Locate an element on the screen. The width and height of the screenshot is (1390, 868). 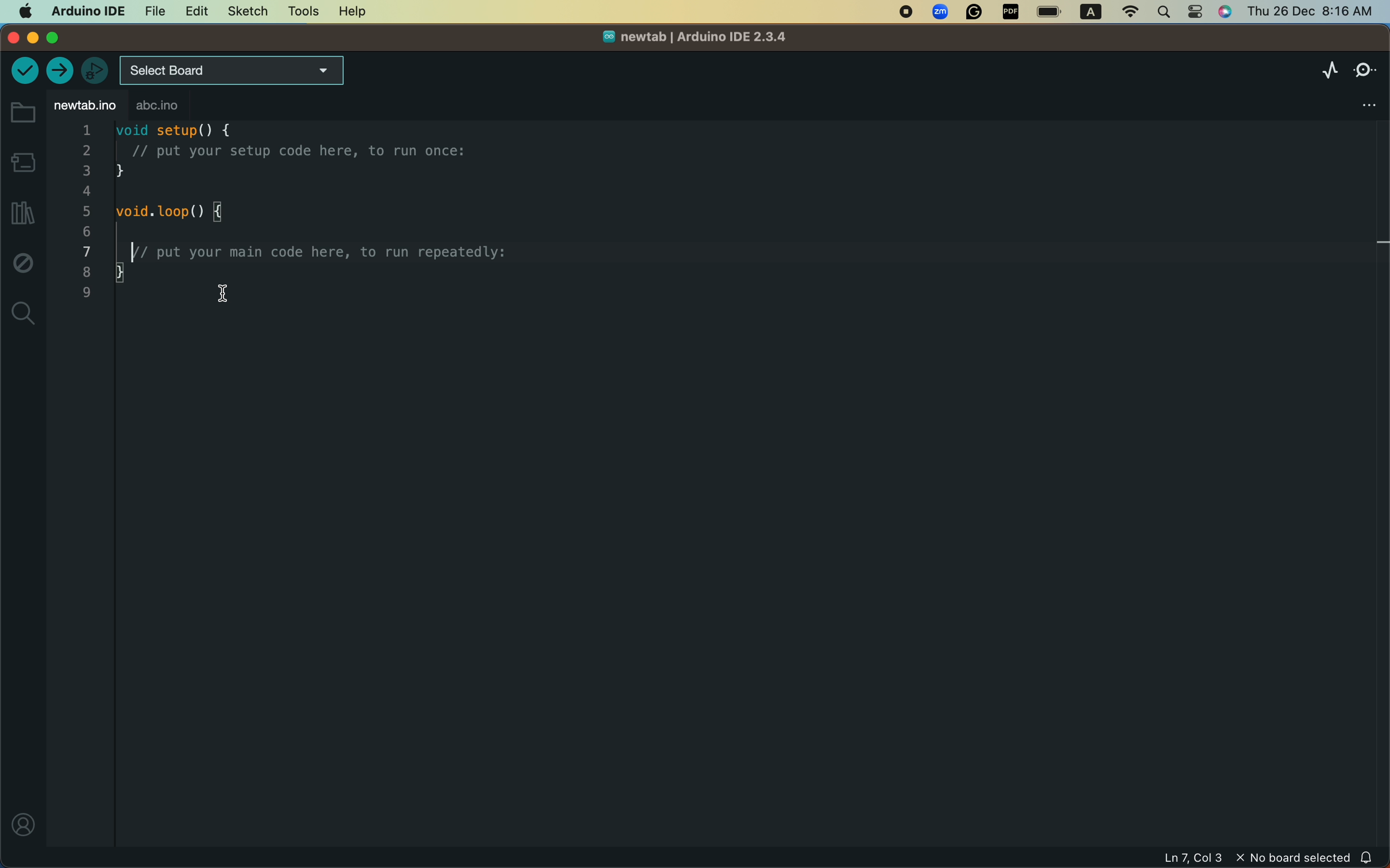
search is located at coordinates (1164, 11).